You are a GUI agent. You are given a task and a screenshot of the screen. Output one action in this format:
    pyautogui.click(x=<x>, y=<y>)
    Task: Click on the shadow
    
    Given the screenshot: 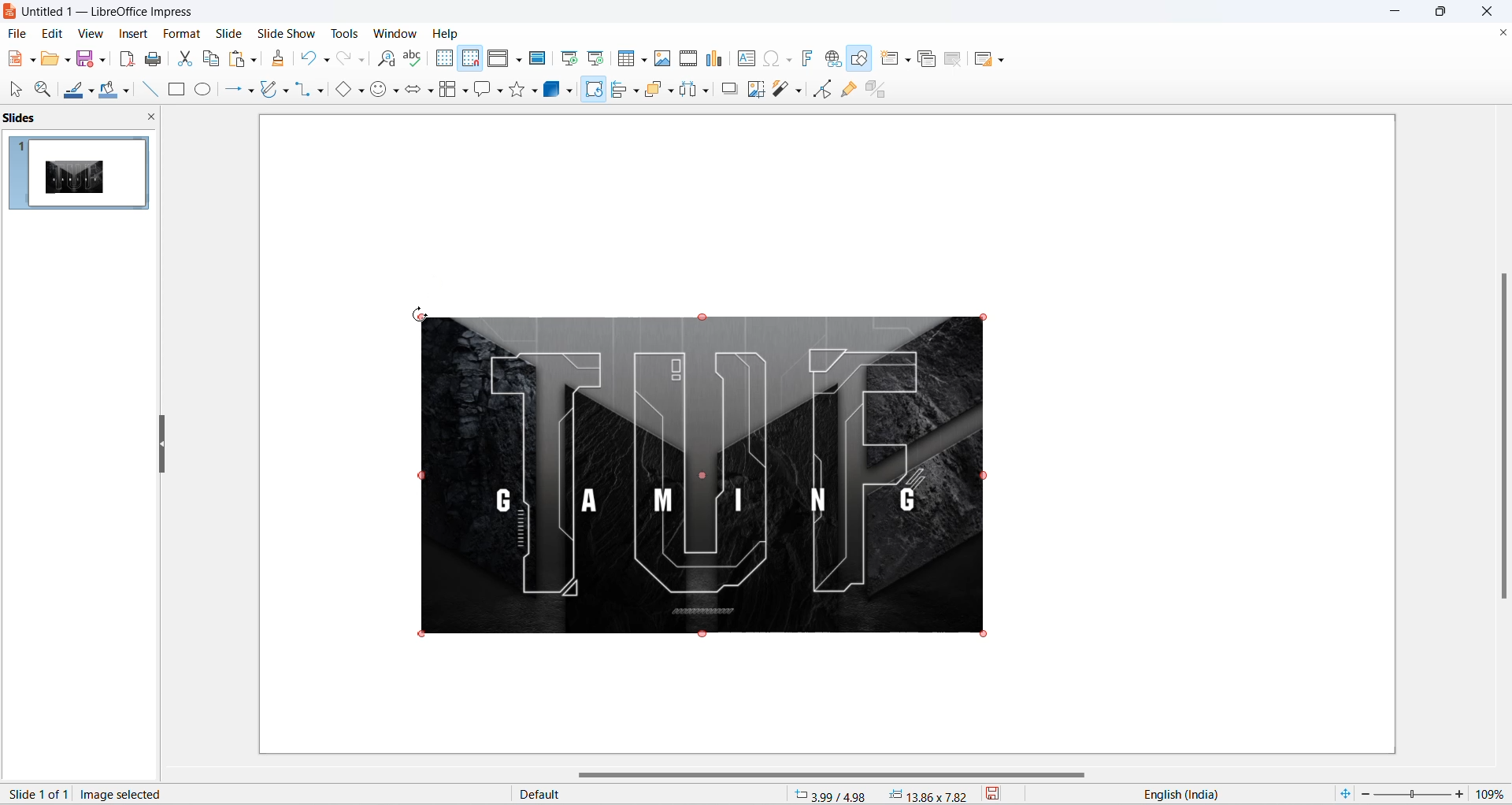 What is the action you would take?
    pyautogui.click(x=730, y=88)
    